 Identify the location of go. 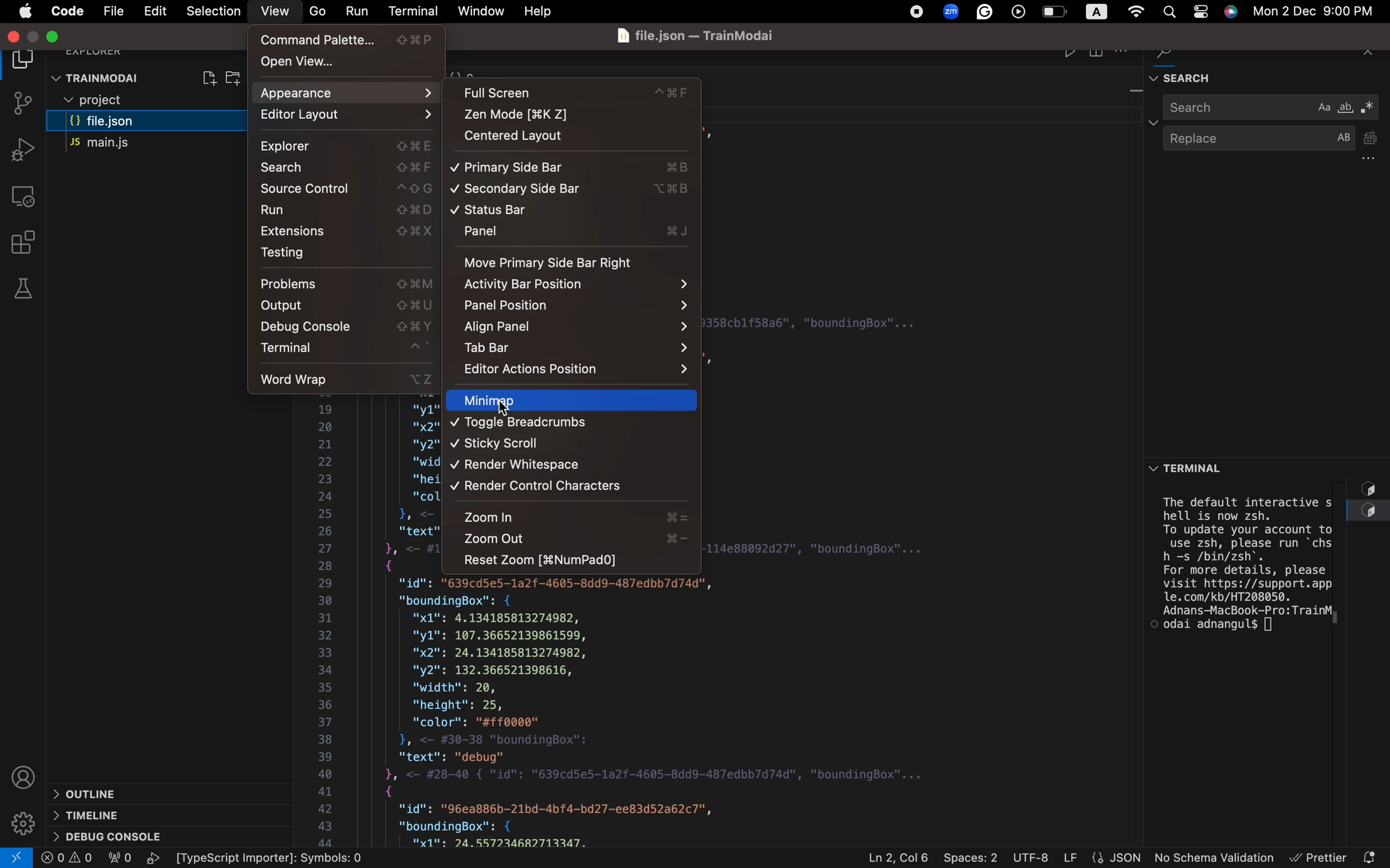
(316, 10).